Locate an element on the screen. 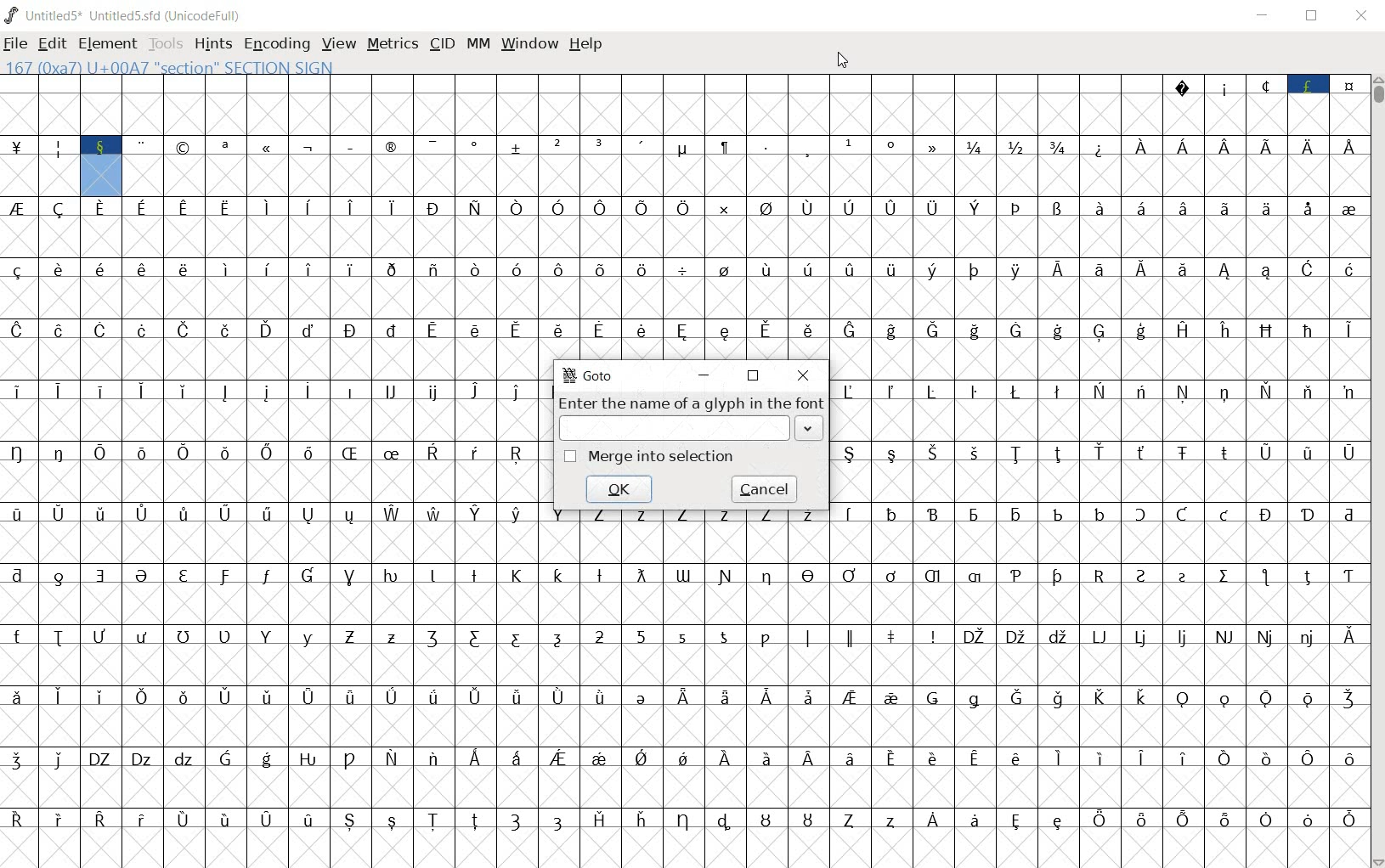 The image size is (1385, 868). special alphabets is located at coordinates (228, 778).